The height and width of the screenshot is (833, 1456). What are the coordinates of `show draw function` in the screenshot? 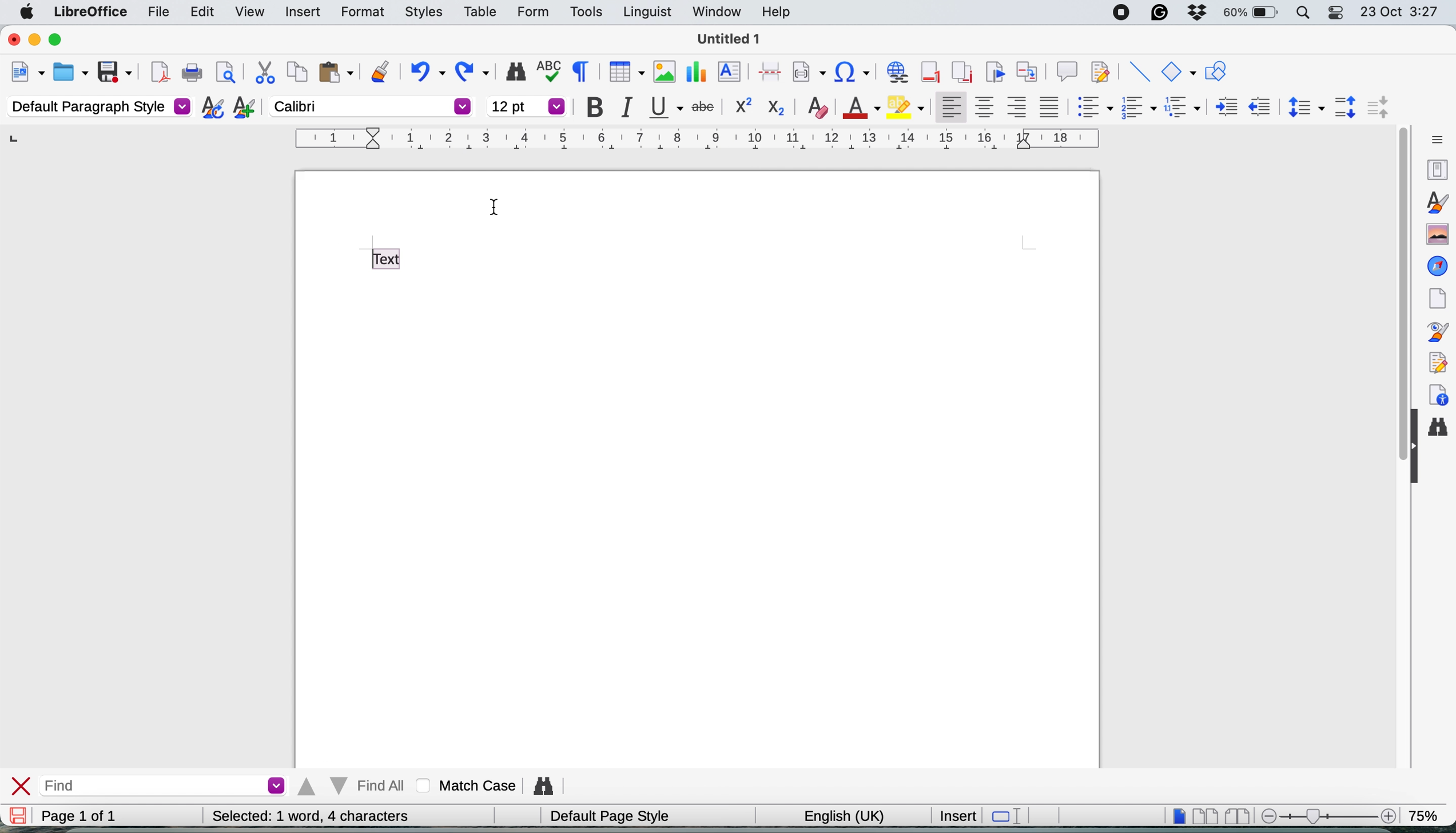 It's located at (1215, 72).